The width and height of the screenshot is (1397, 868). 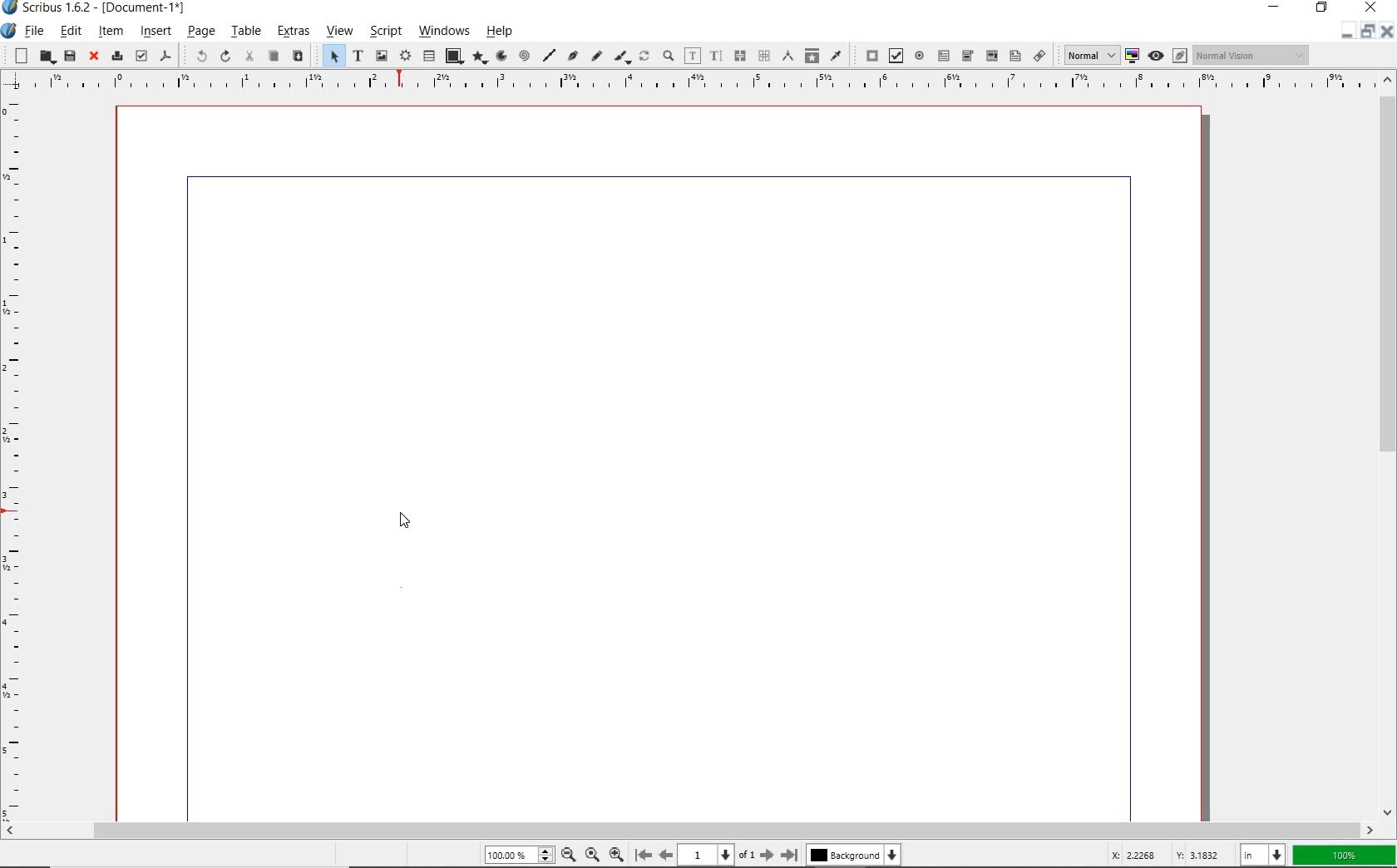 What do you see at coordinates (1324, 9) in the screenshot?
I see `restore` at bounding box center [1324, 9].